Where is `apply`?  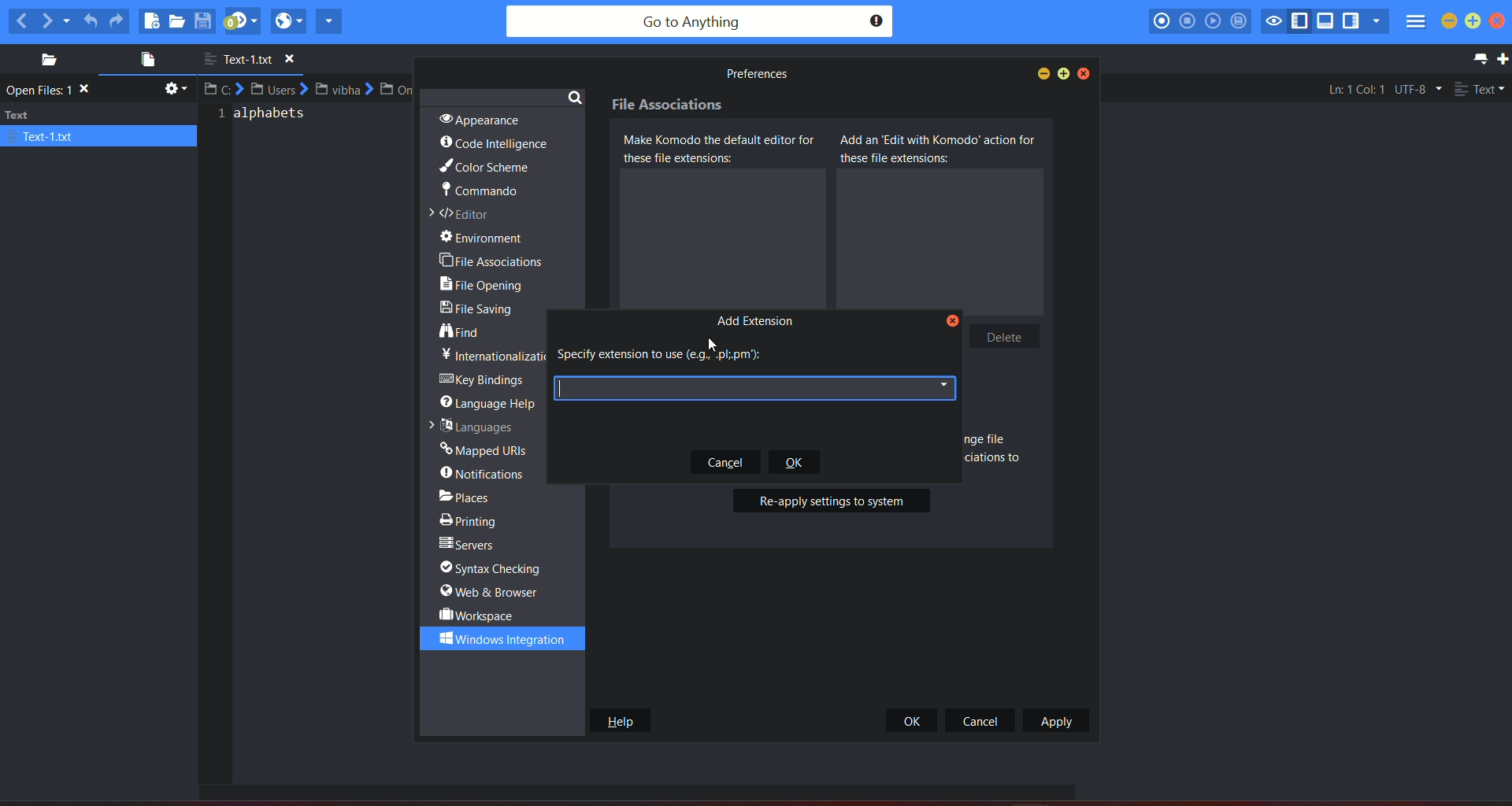 apply is located at coordinates (1055, 721).